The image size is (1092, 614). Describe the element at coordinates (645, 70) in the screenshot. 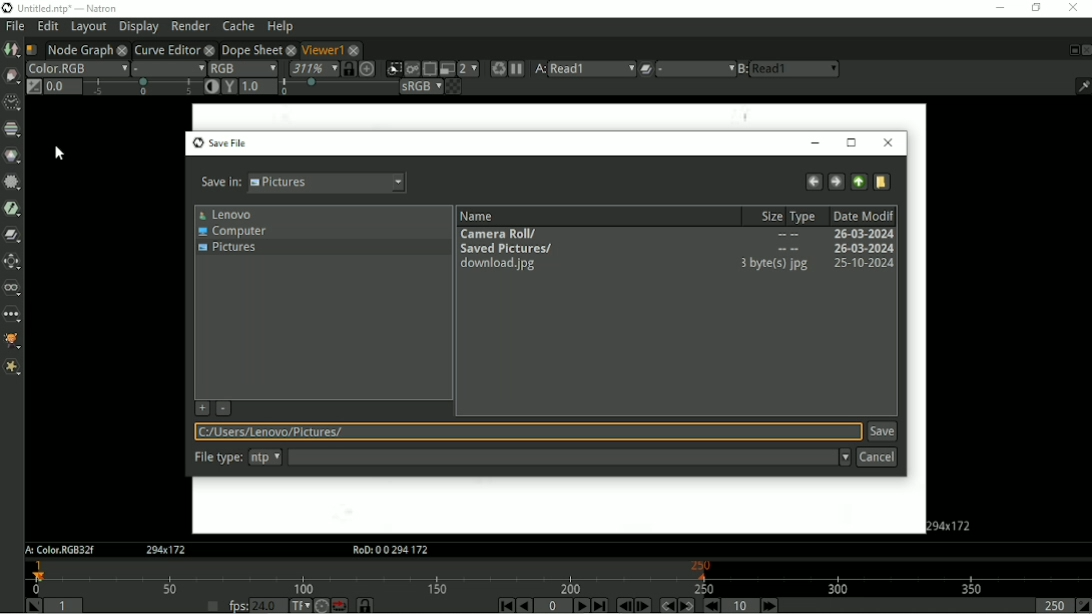

I see `Operation applied between viewer input A and B` at that location.